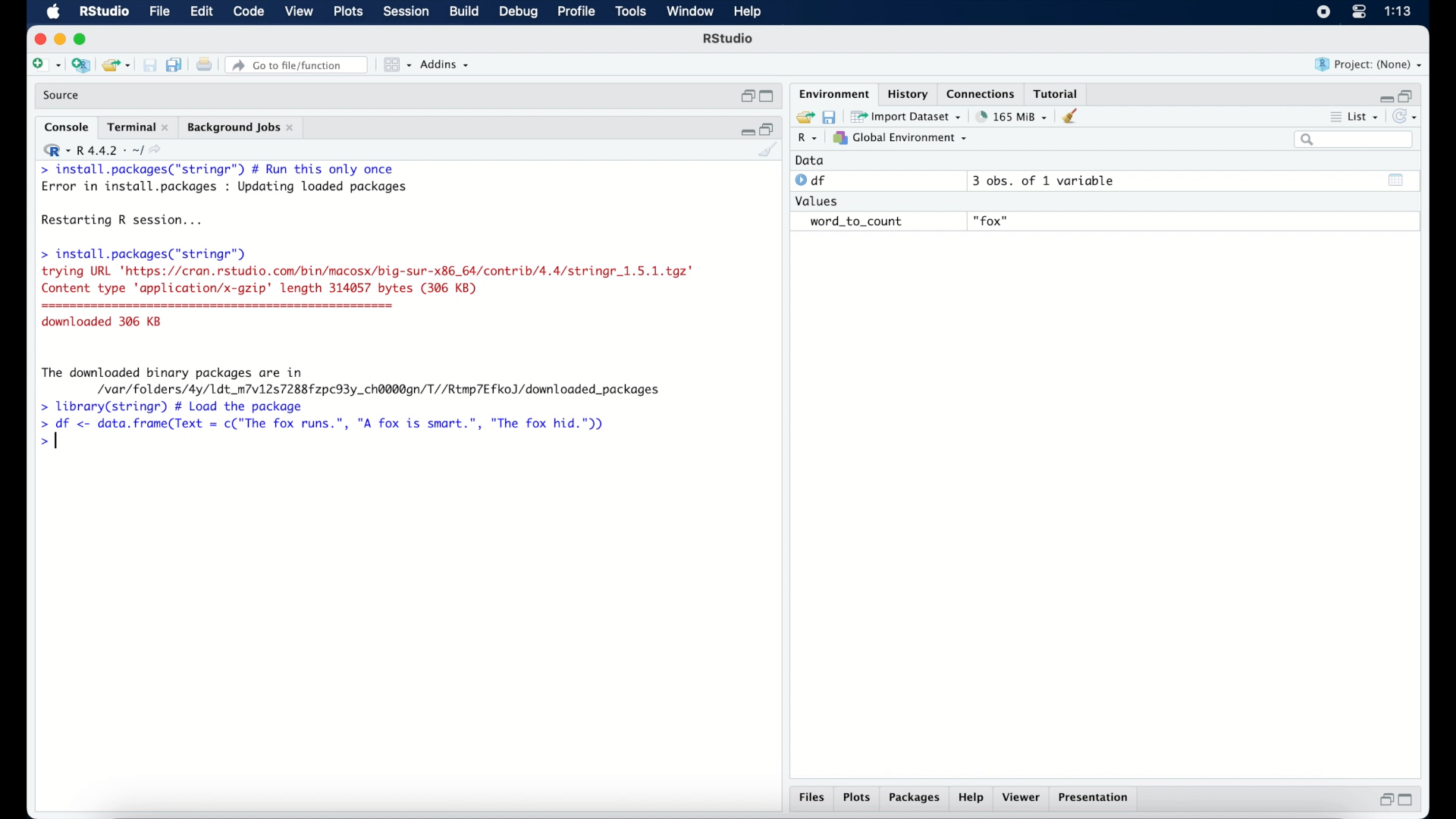  I want to click on import dataset, so click(906, 117).